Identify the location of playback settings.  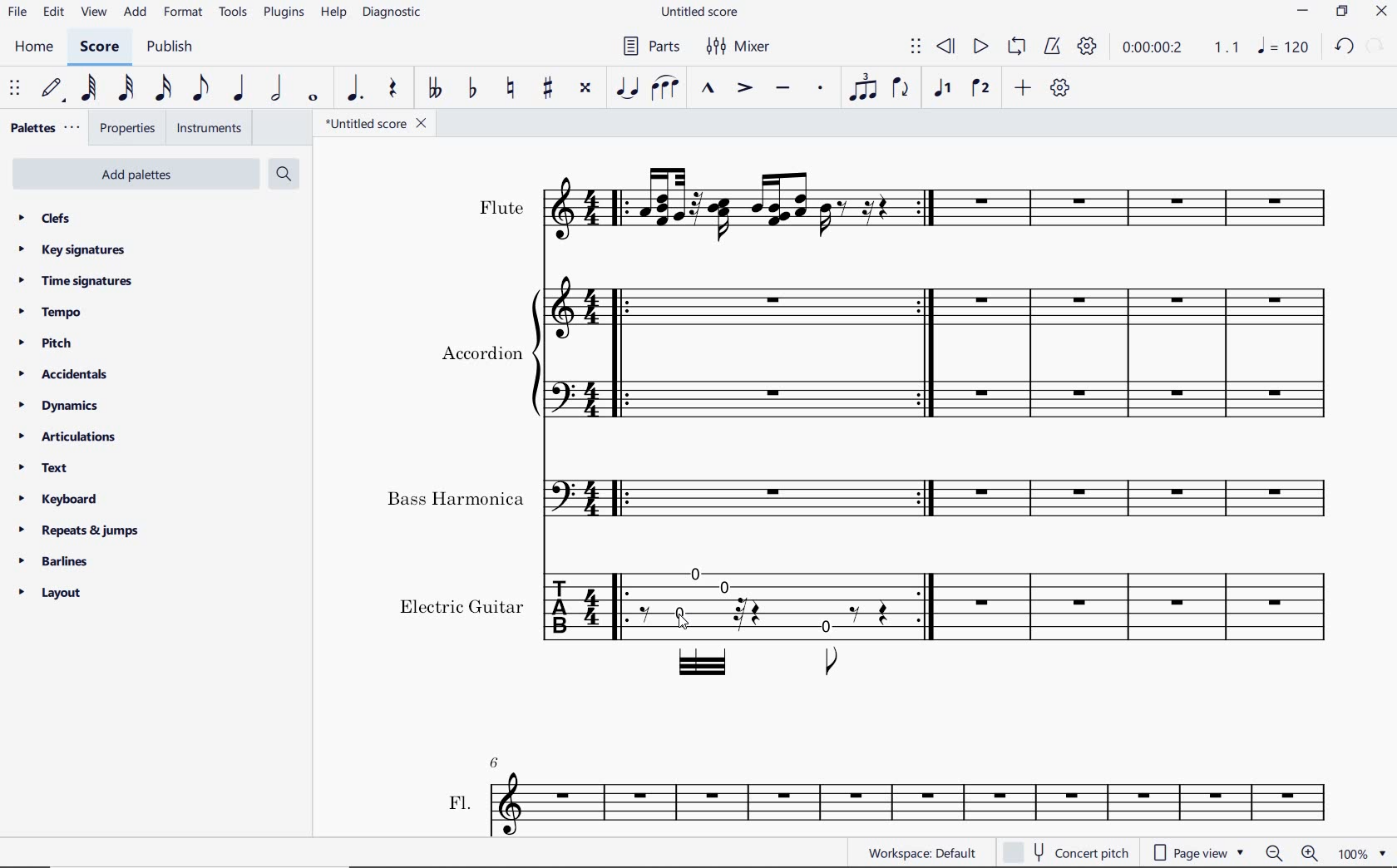
(1086, 47).